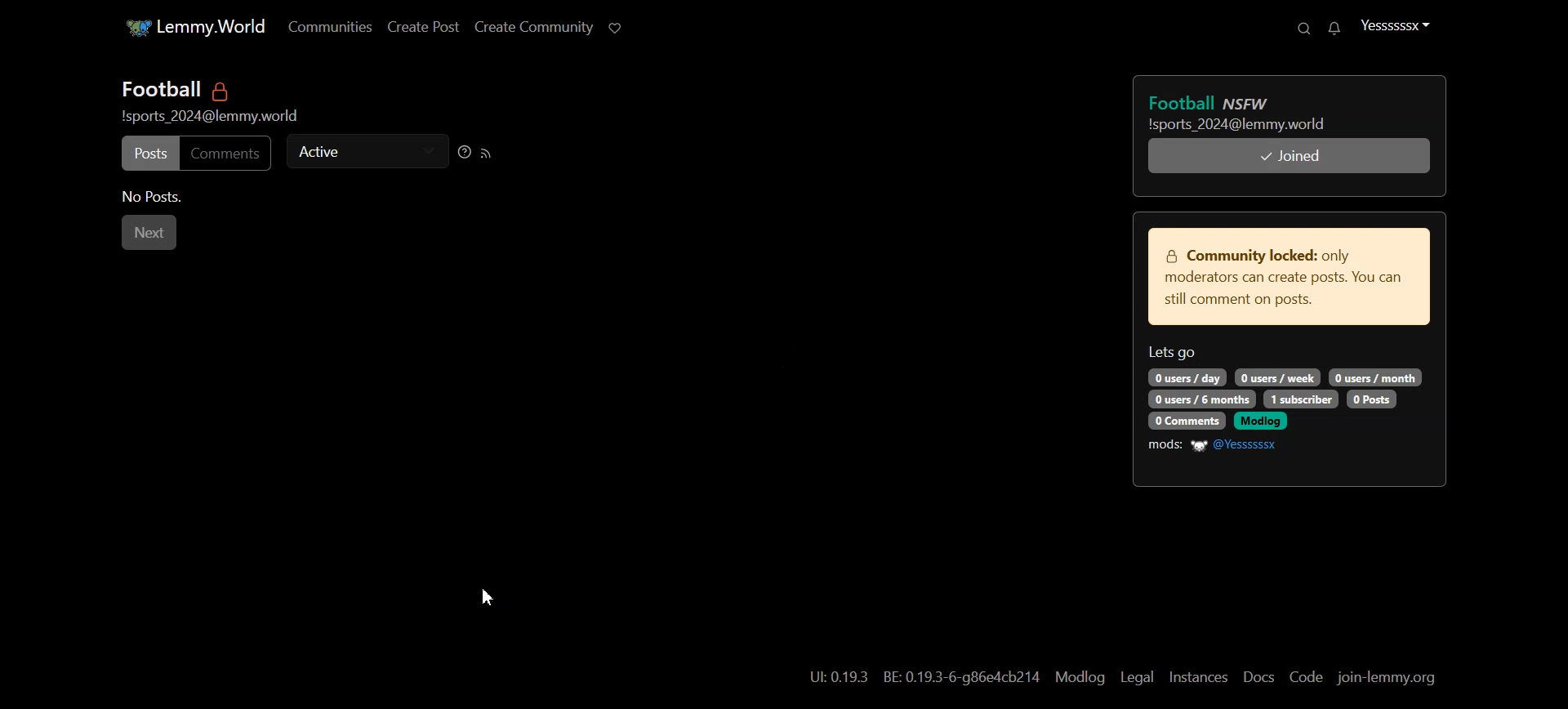 This screenshot has height=709, width=1568. I want to click on Modlog, so click(1071, 676).